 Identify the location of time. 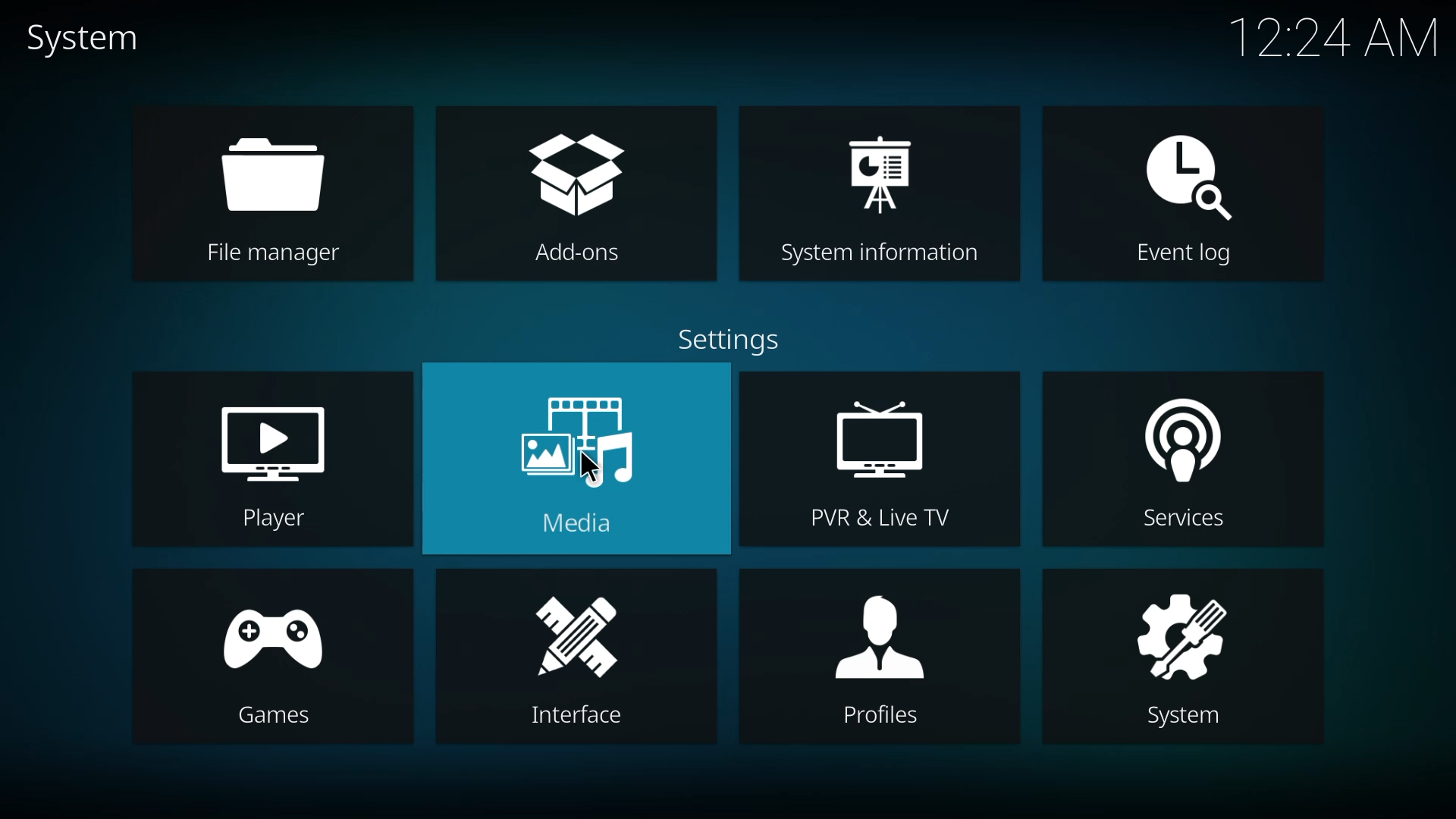
(1333, 37).